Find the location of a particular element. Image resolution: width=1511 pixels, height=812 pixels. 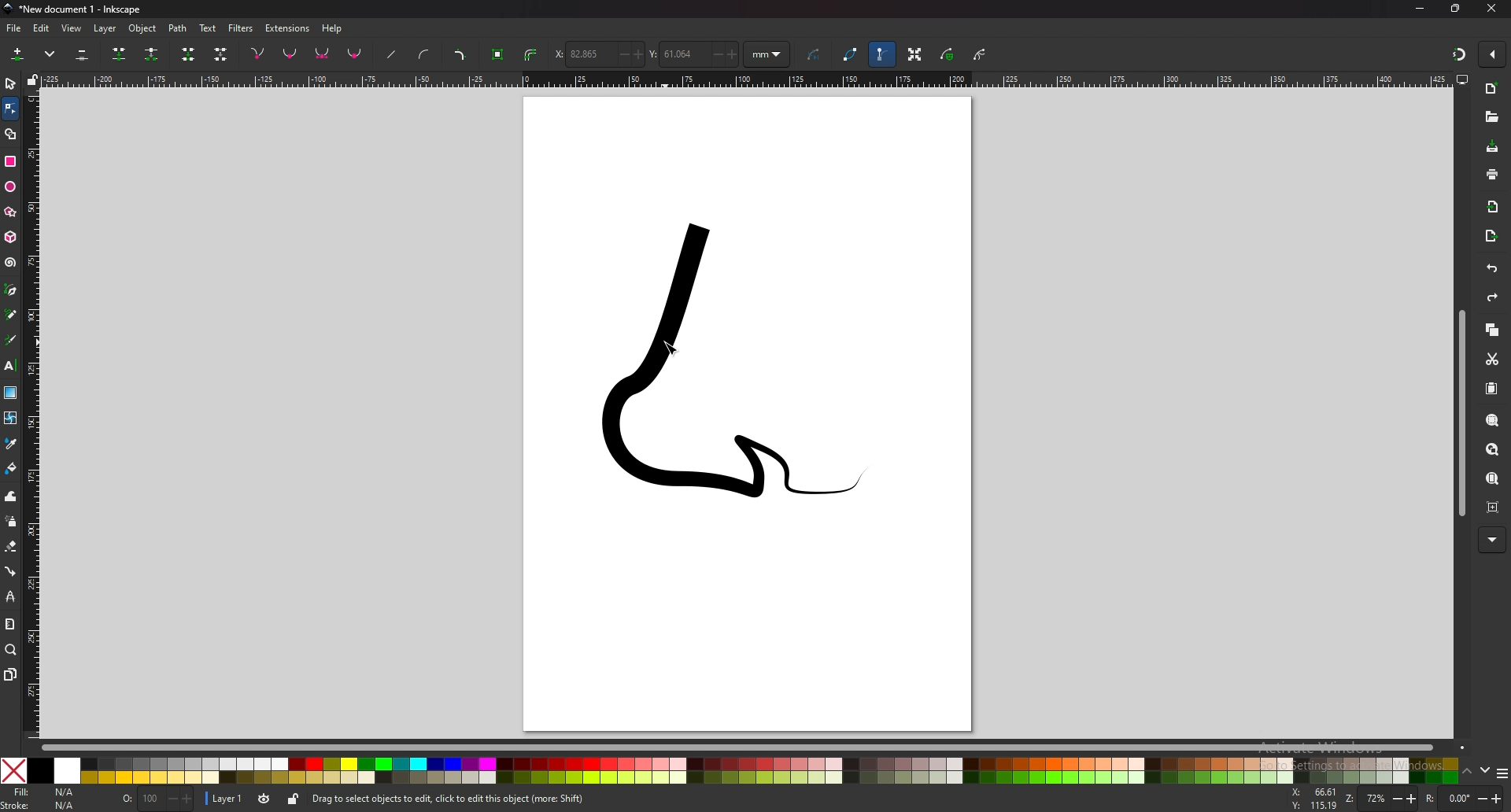

show clipping path is located at coordinates (981, 54).